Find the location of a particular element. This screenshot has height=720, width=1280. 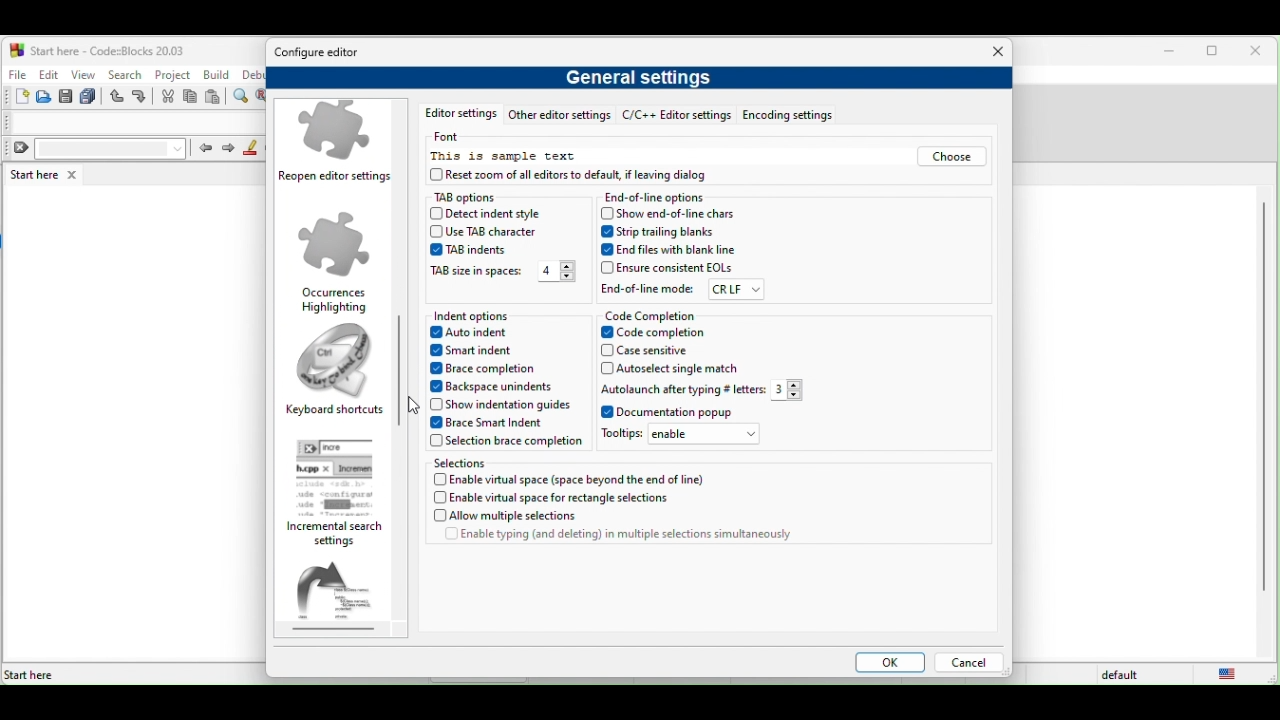

save is located at coordinates (66, 97).